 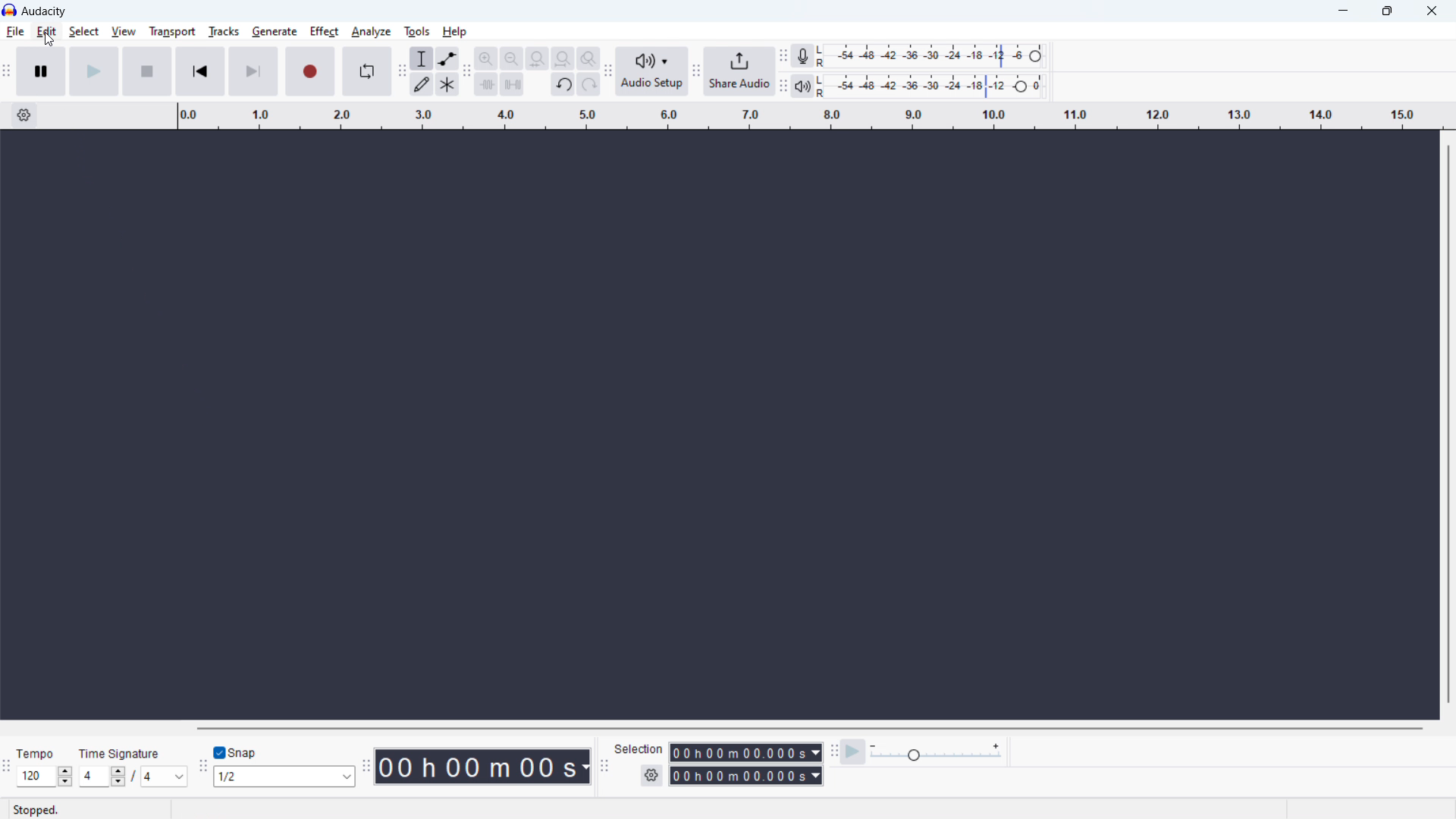 What do you see at coordinates (23, 116) in the screenshot?
I see `timeline settings` at bounding box center [23, 116].